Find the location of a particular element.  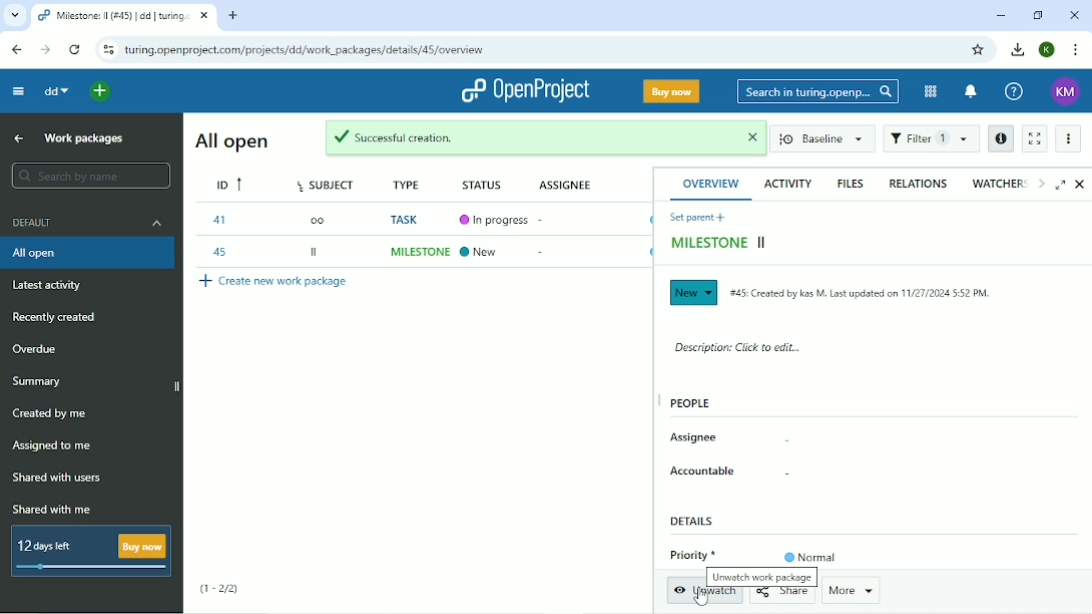

Milestone is located at coordinates (416, 252).